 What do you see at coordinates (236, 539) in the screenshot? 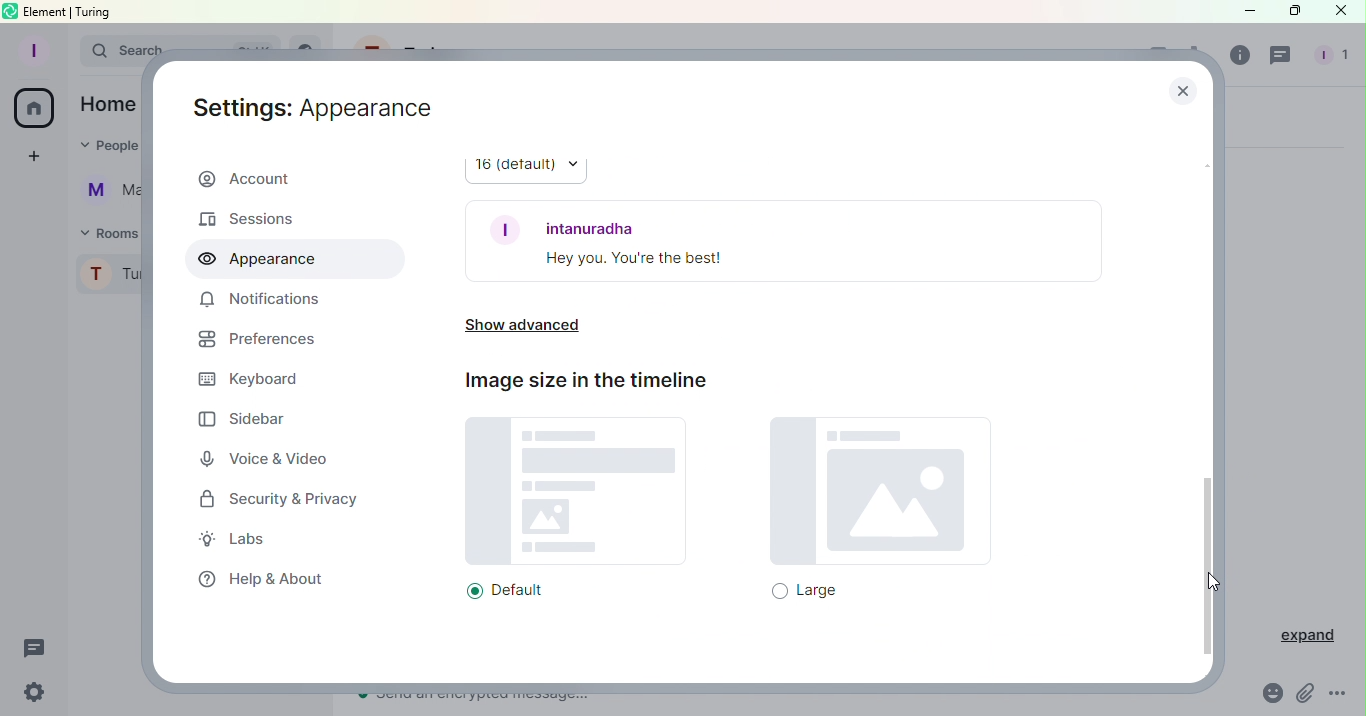
I see `Labs` at bounding box center [236, 539].